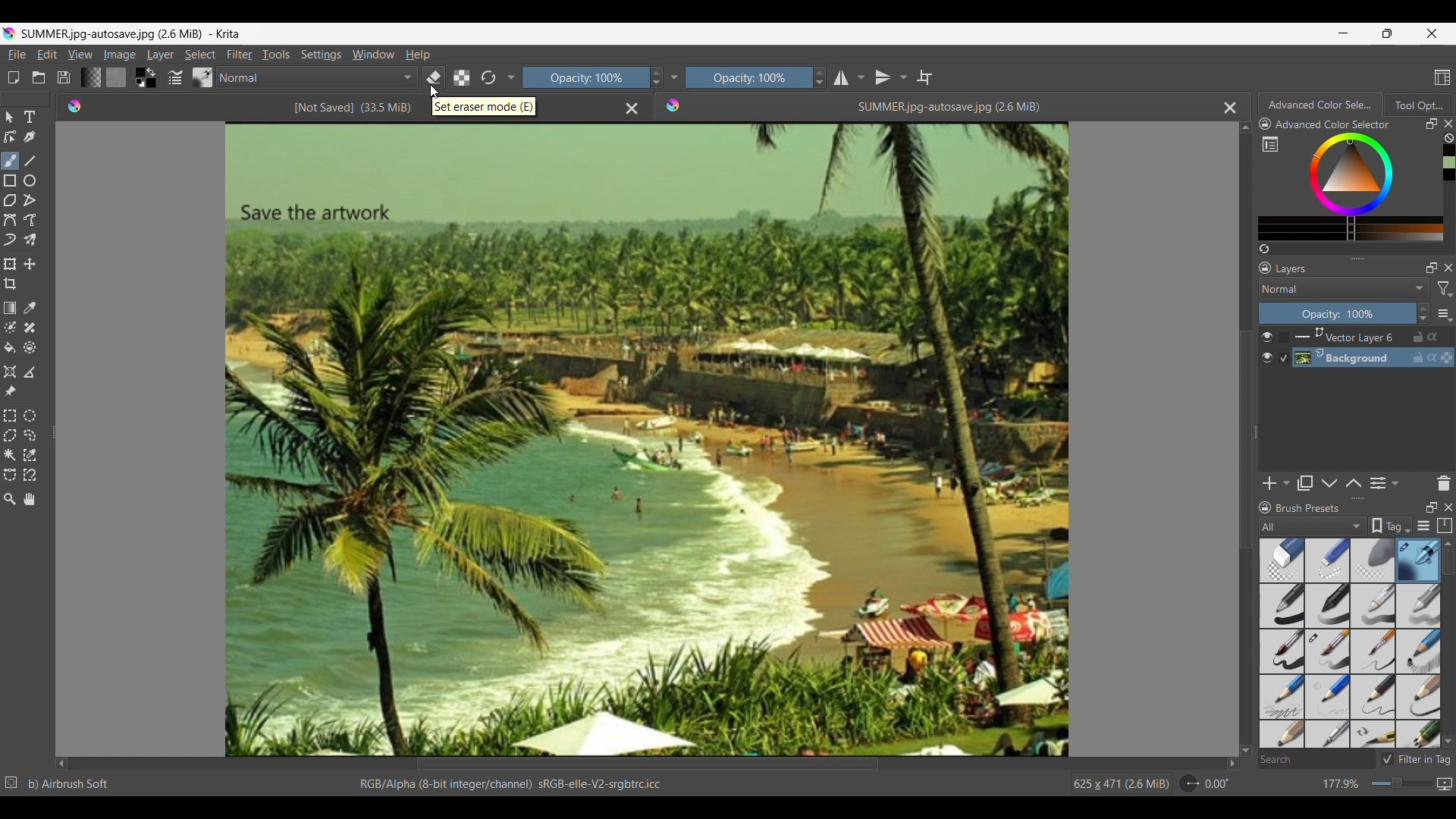 The width and height of the screenshot is (1456, 819). I want to click on Change width of panels attached to this line, so click(52, 427).